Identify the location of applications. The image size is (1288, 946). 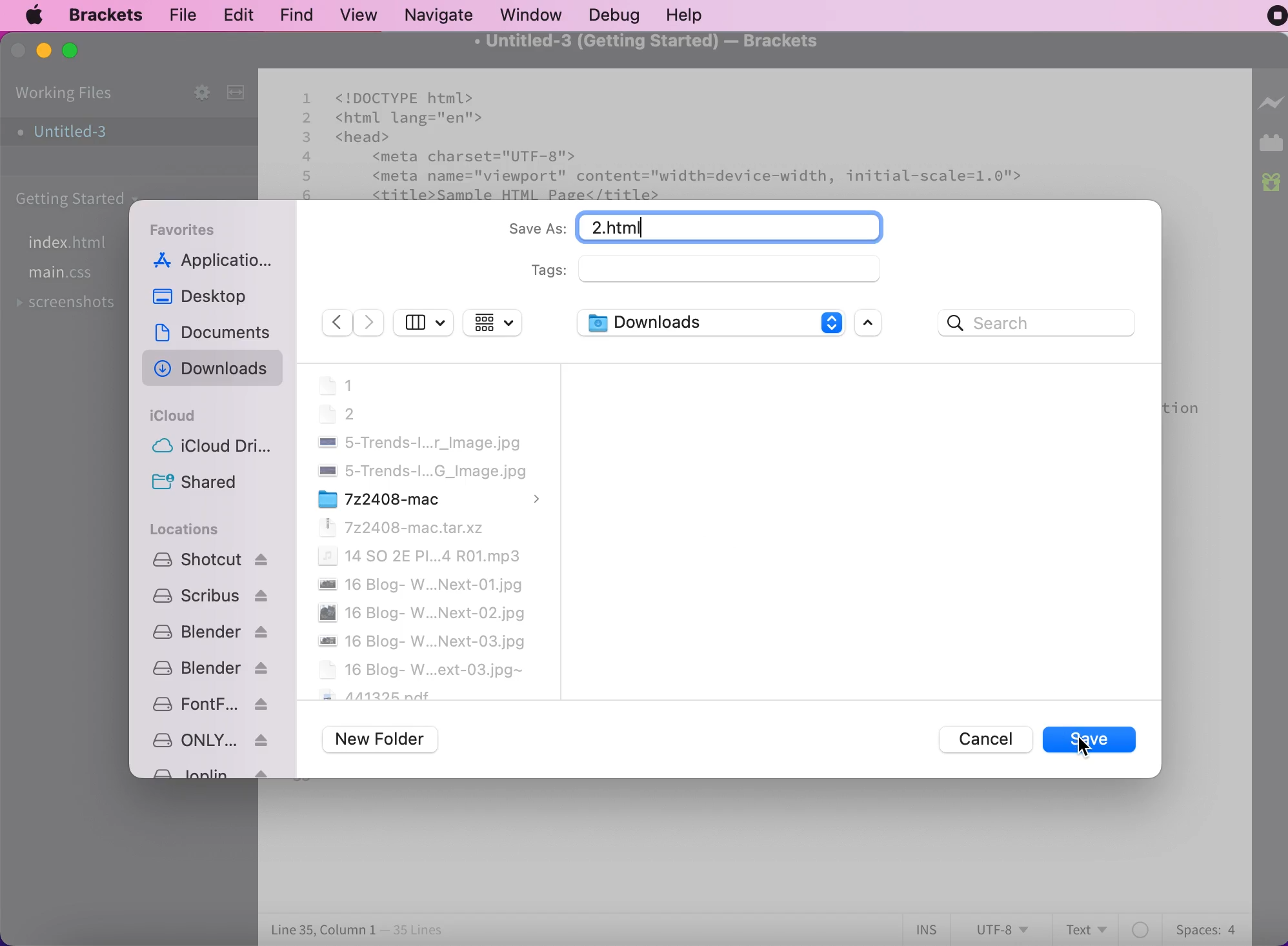
(220, 262).